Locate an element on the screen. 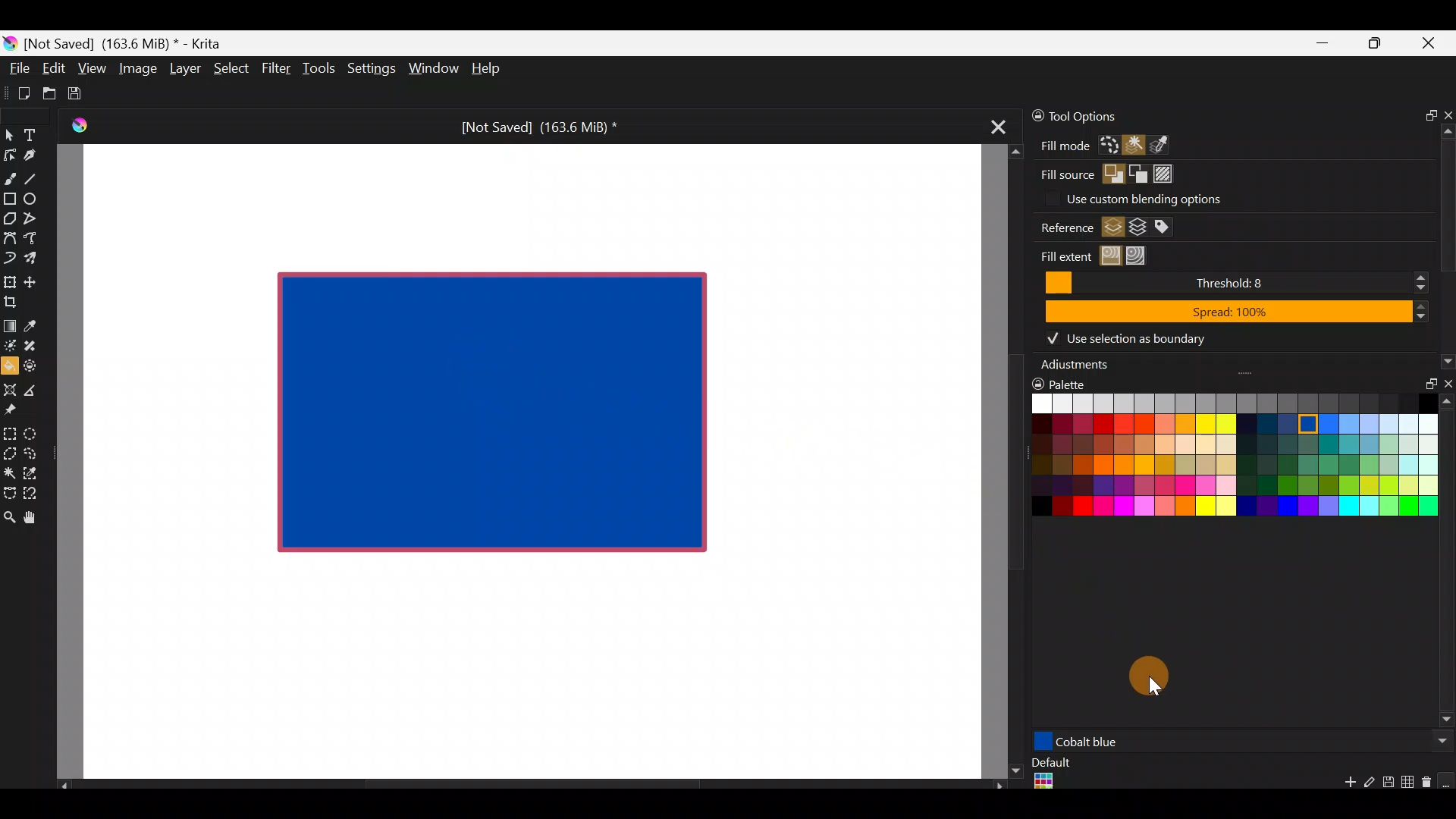  Crop the image to an area is located at coordinates (17, 303).